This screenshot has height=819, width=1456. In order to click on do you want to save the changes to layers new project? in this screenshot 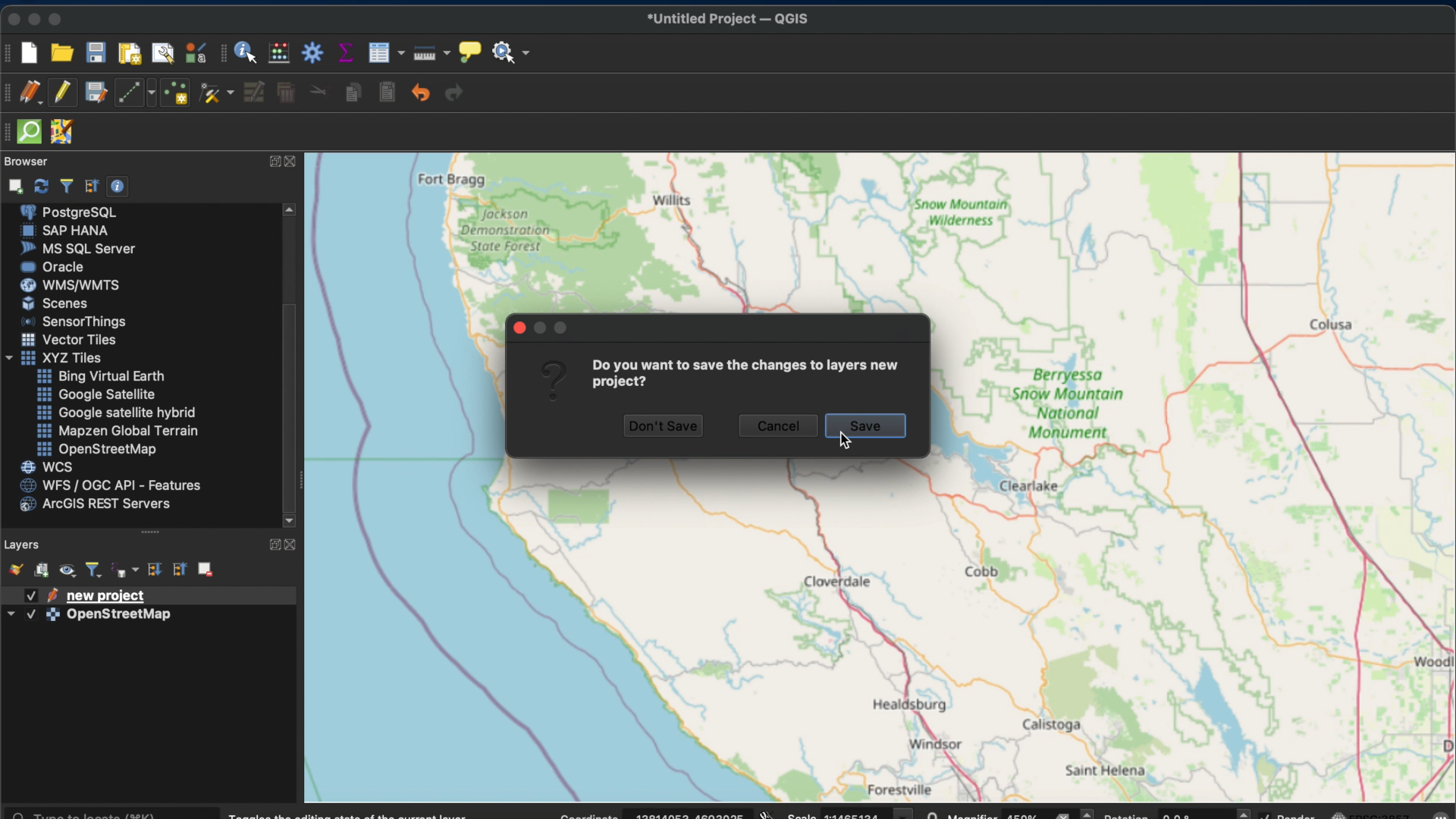, I will do `click(750, 375)`.